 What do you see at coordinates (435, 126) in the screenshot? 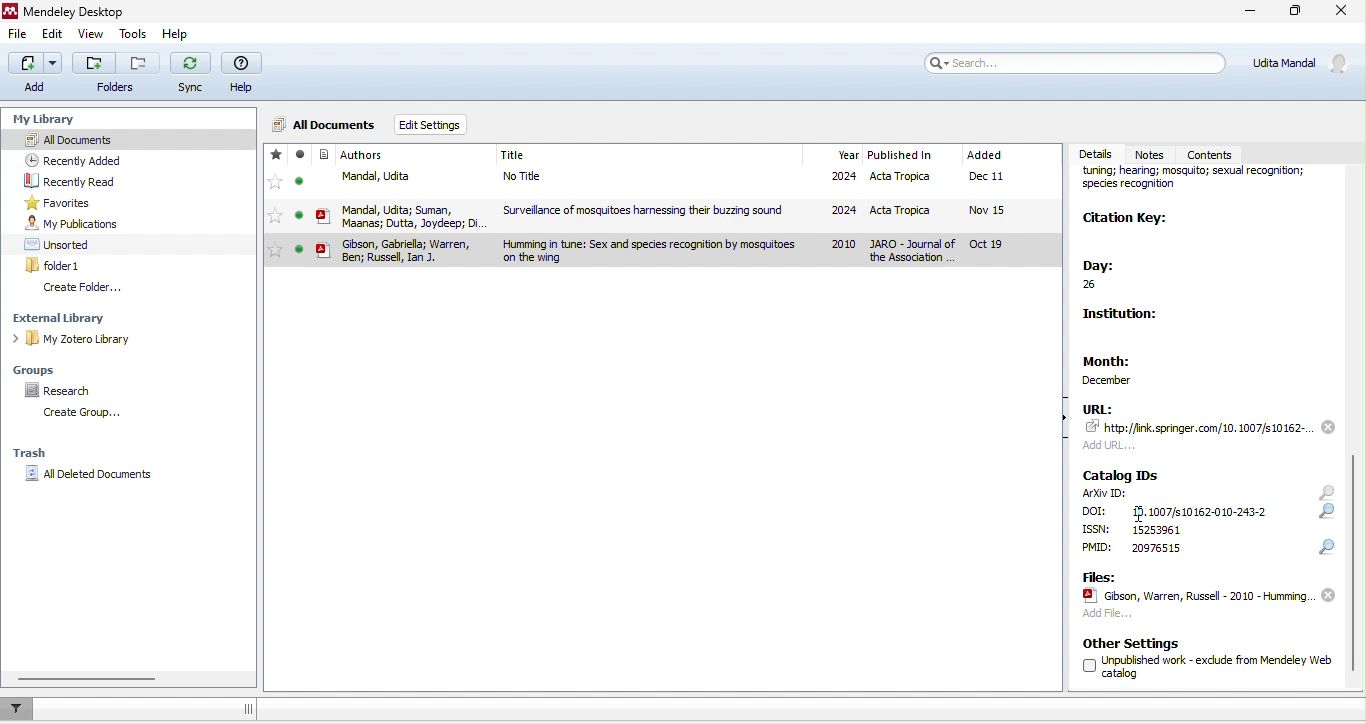
I see `edit settings` at bounding box center [435, 126].